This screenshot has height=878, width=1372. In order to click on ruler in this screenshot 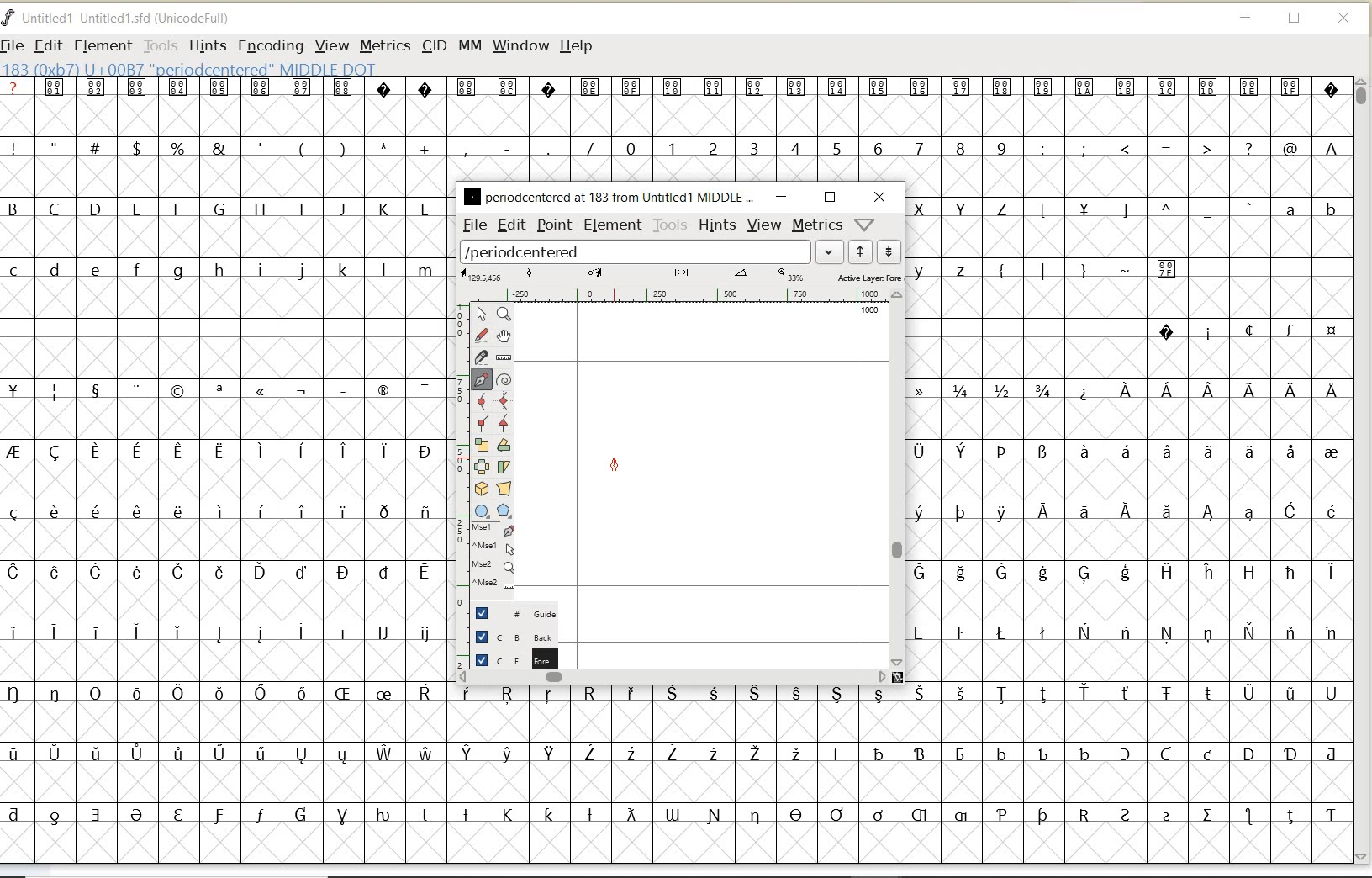, I will do `click(683, 297)`.